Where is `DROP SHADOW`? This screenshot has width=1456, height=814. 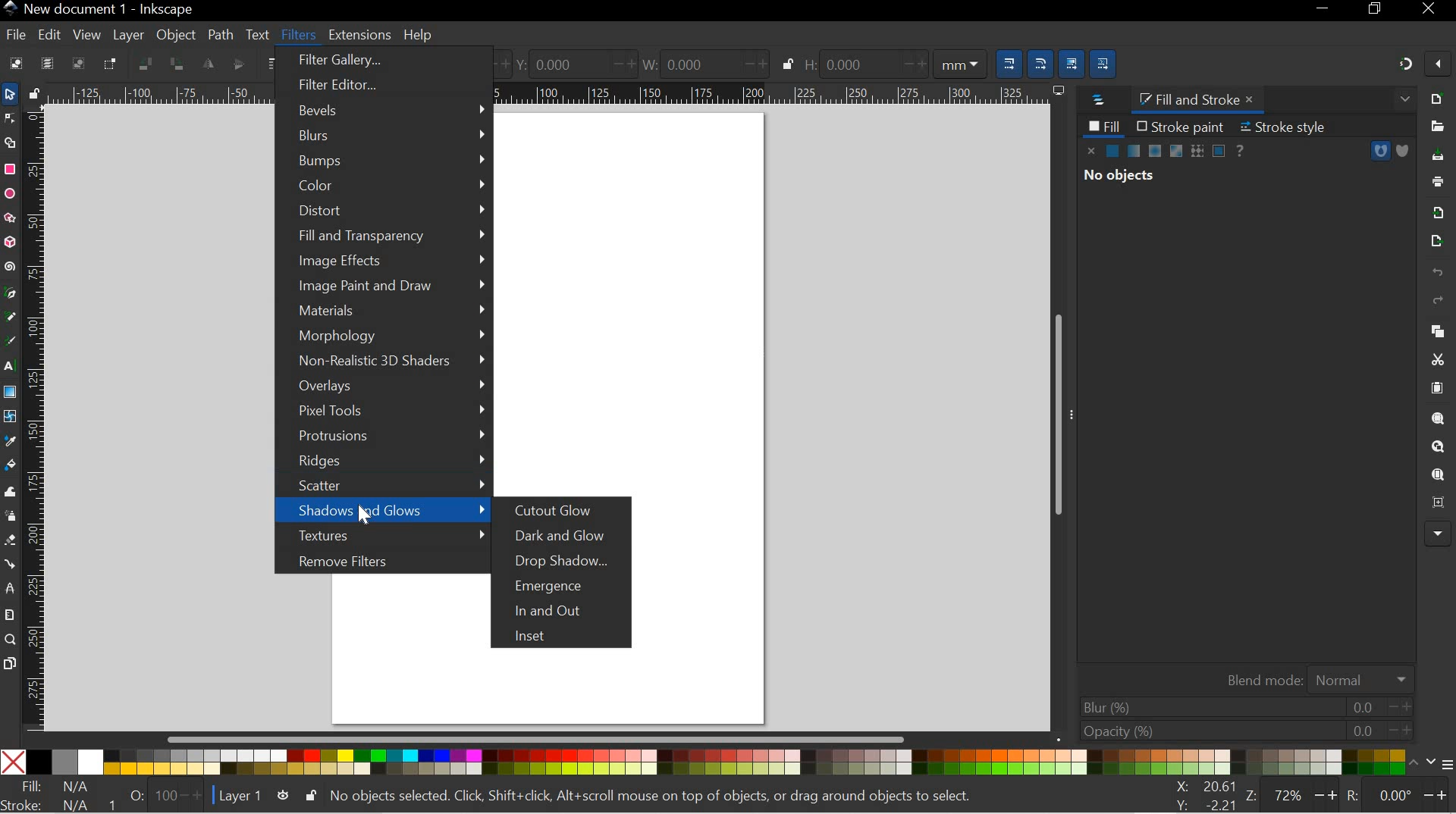
DROP SHADOW is located at coordinates (568, 562).